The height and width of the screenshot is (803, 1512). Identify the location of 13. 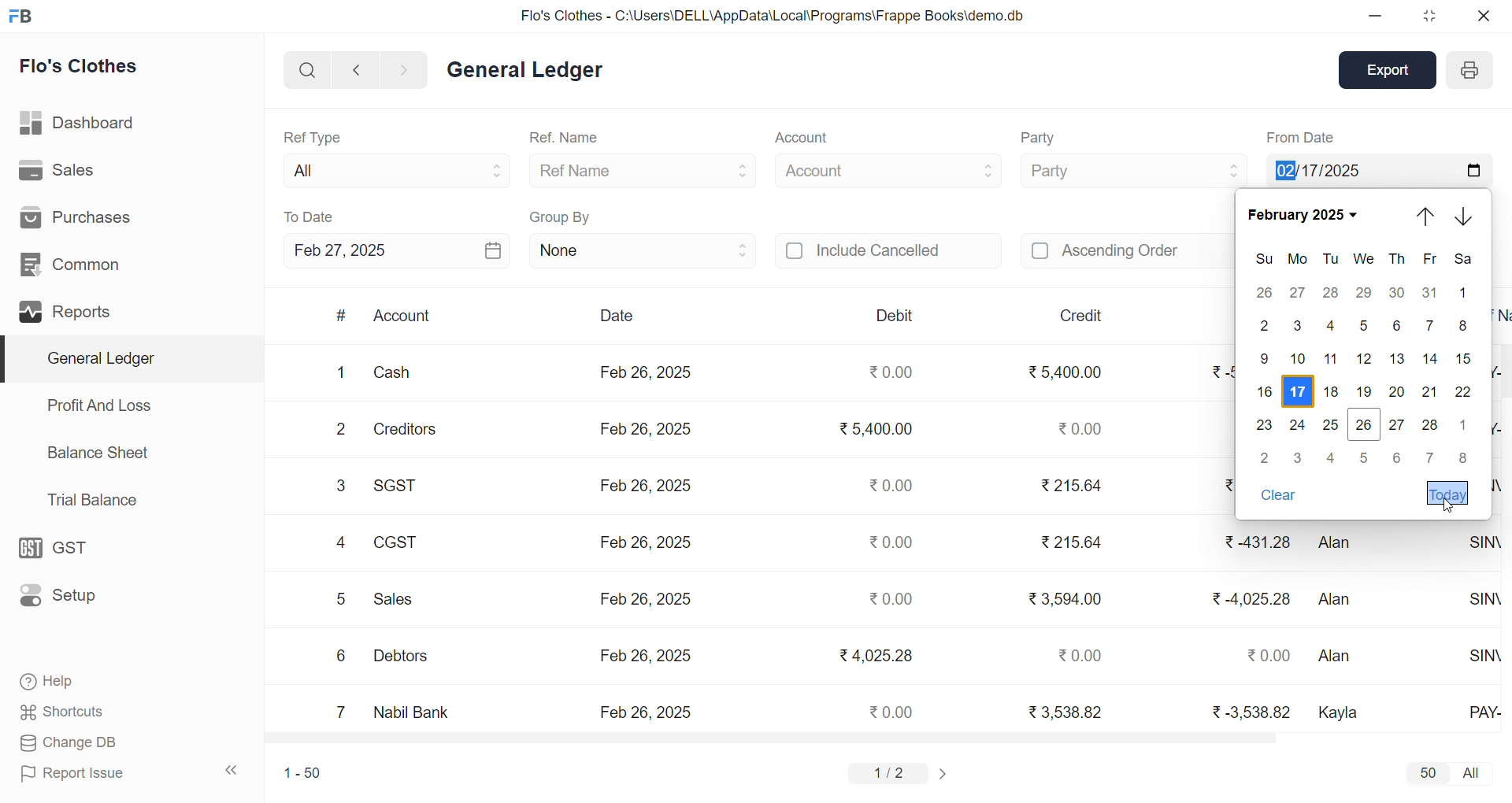
(1398, 358).